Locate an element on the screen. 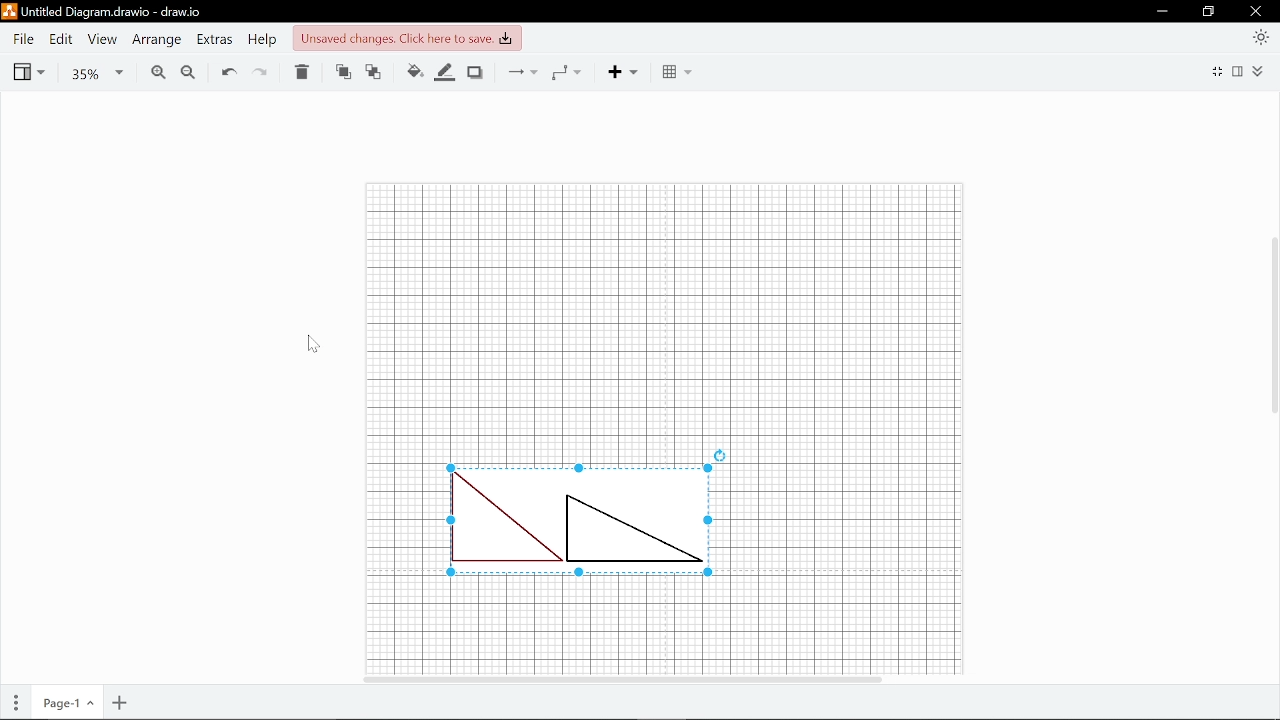  Grid lines is located at coordinates (665, 626).